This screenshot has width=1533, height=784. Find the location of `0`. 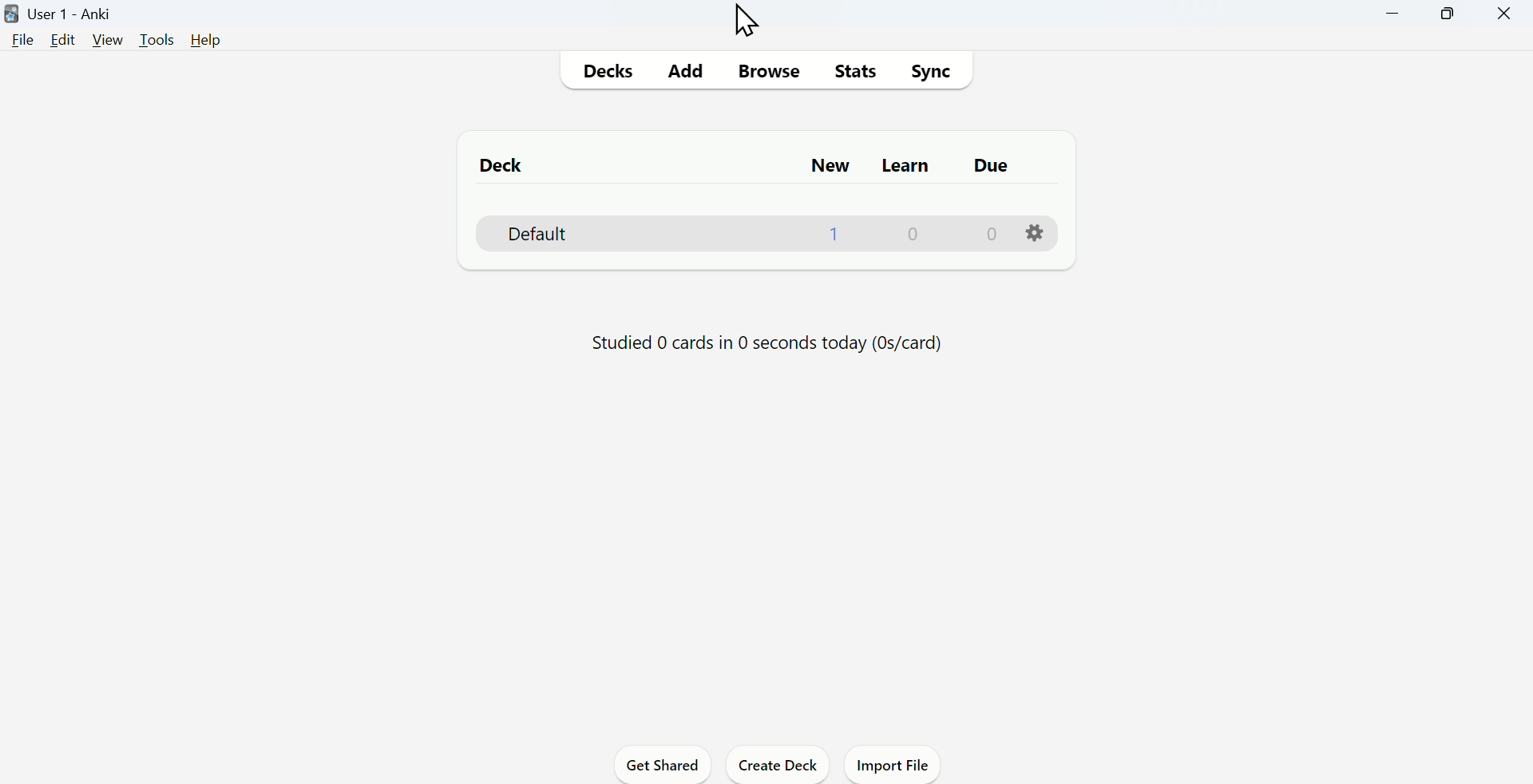

0 is located at coordinates (993, 236).